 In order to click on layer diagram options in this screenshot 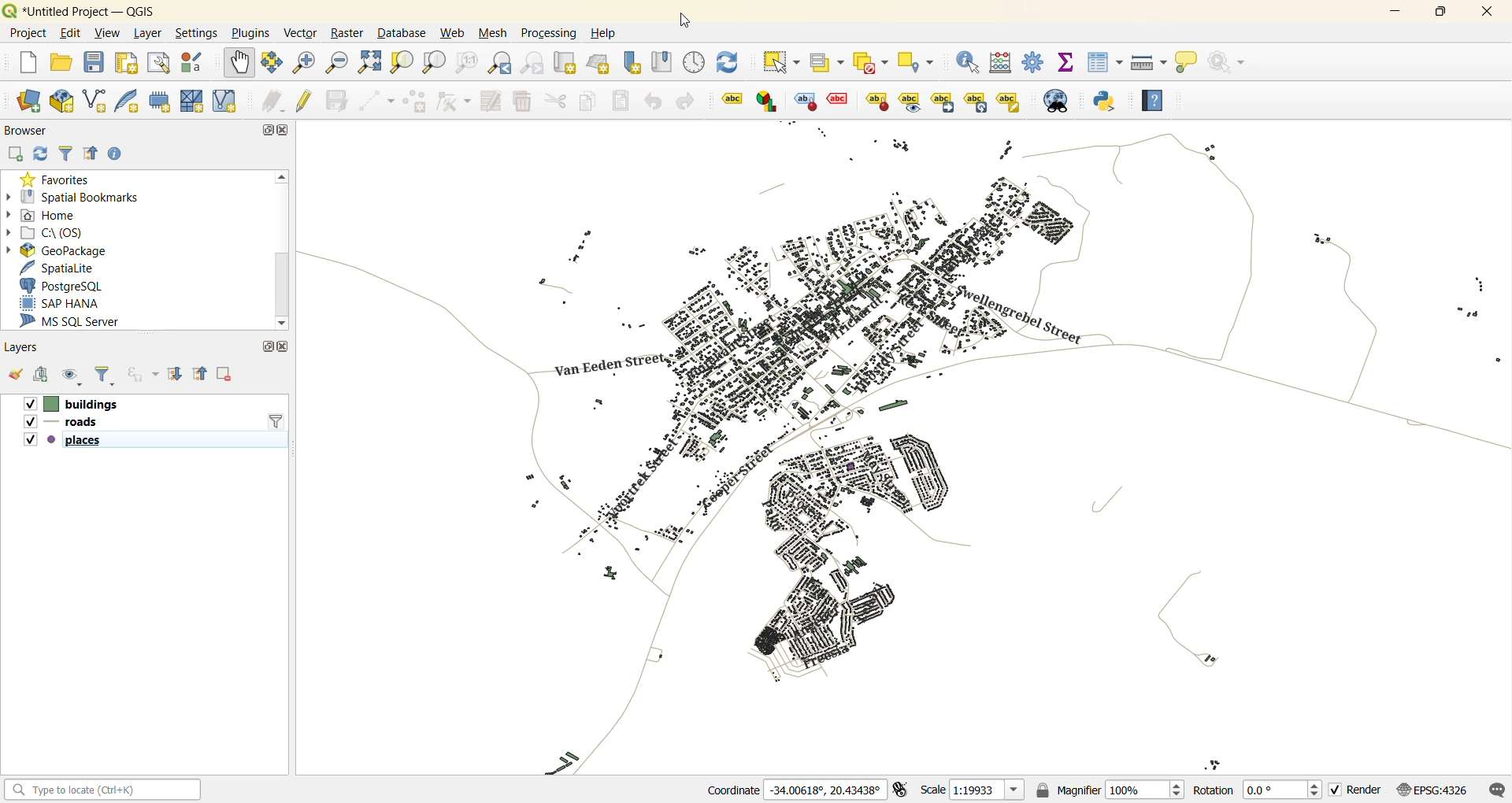, I will do `click(767, 101)`.